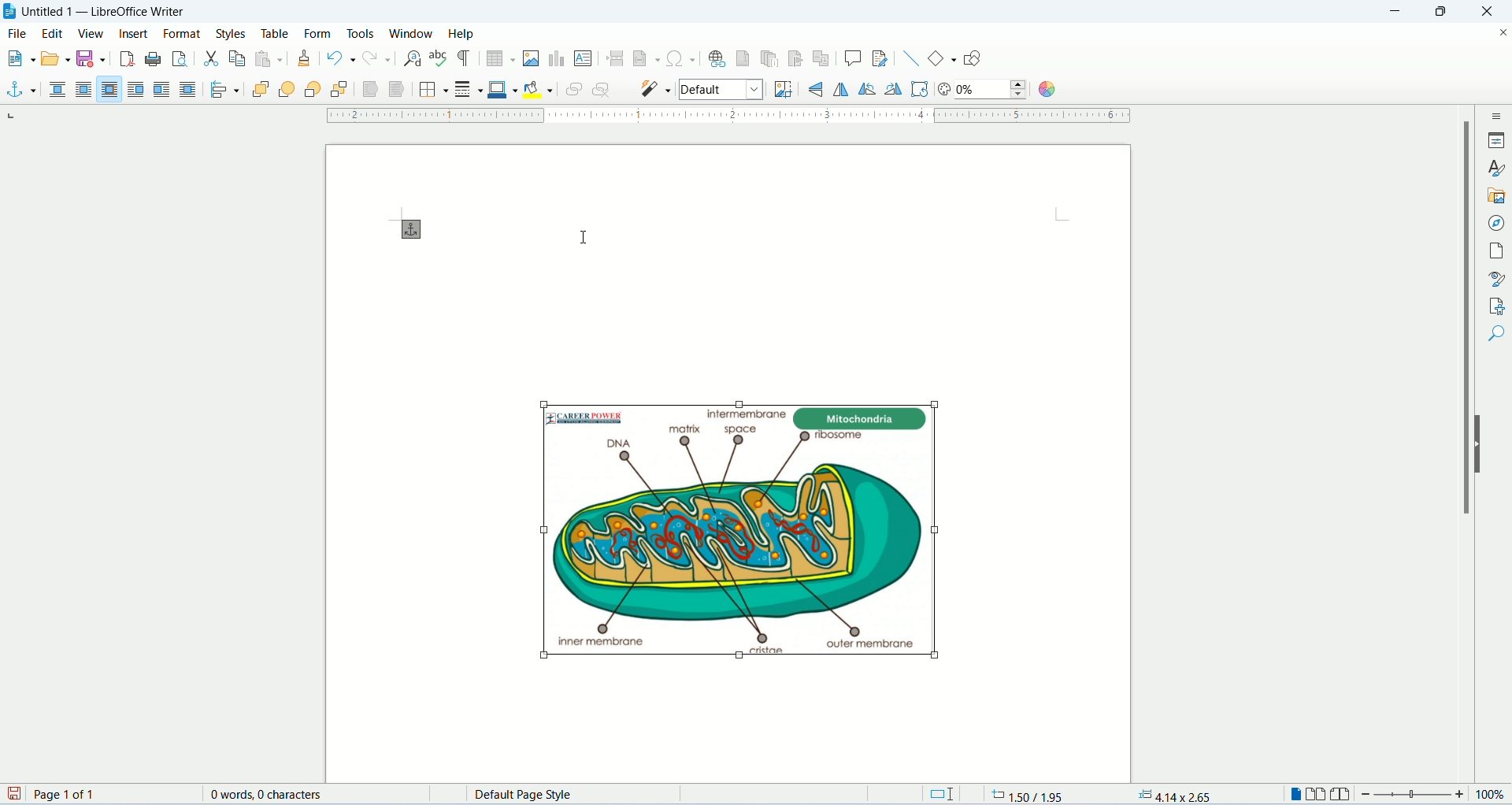 This screenshot has height=805, width=1512. Describe the element at coordinates (412, 33) in the screenshot. I see `window` at that location.